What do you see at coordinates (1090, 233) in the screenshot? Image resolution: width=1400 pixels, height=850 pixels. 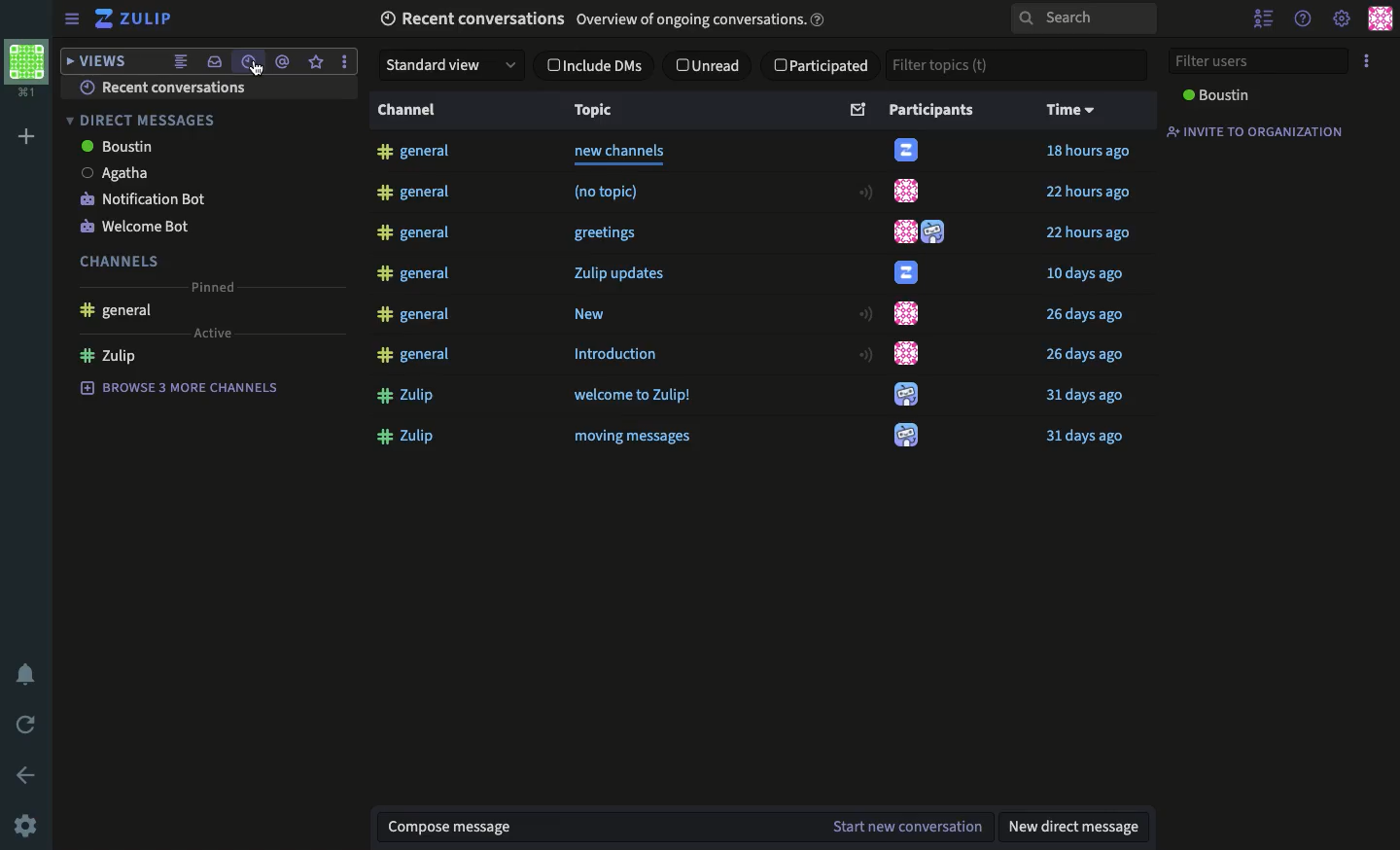 I see `22 hours ago` at bounding box center [1090, 233].